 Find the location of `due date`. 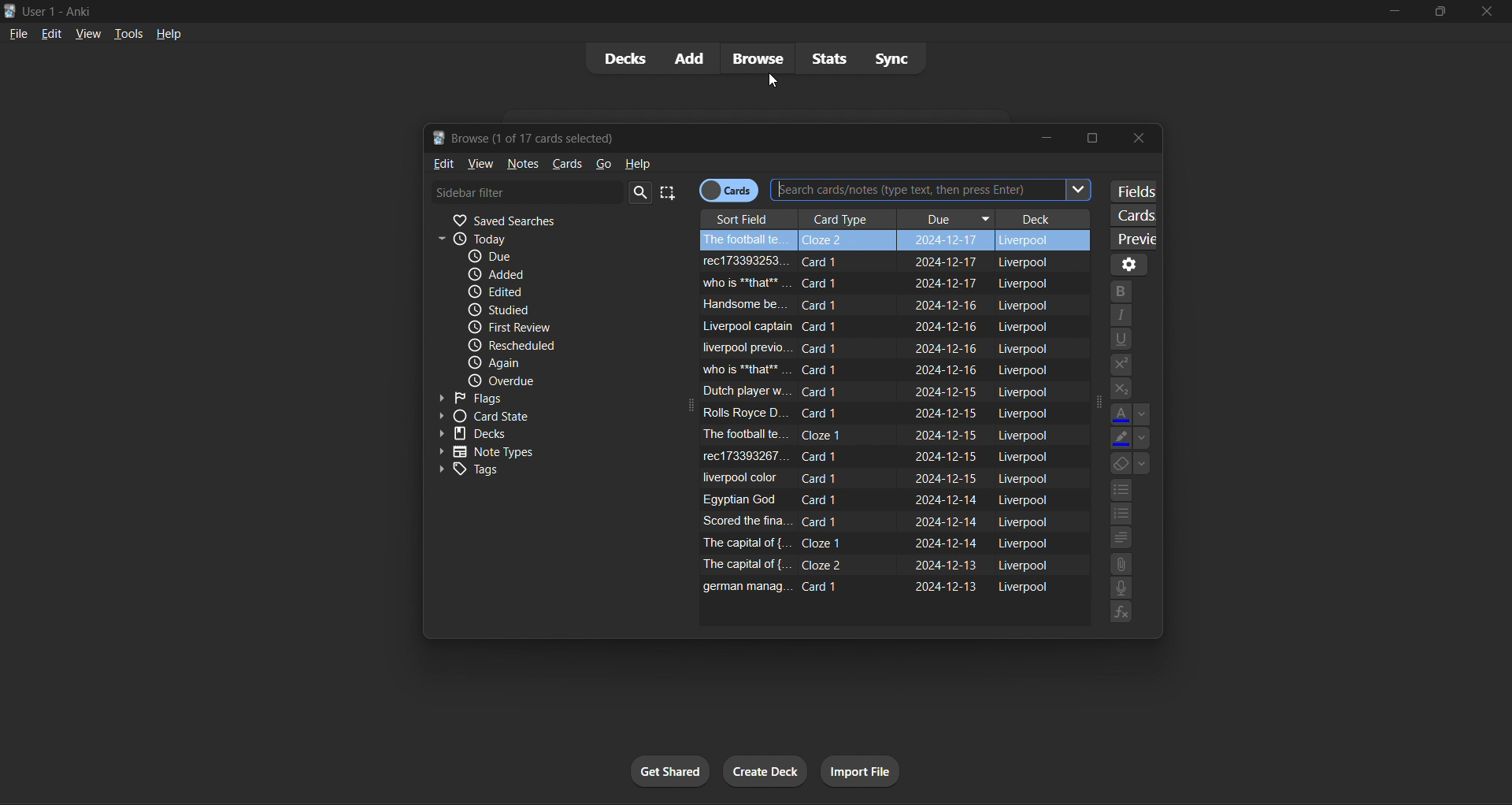

due date is located at coordinates (944, 240).